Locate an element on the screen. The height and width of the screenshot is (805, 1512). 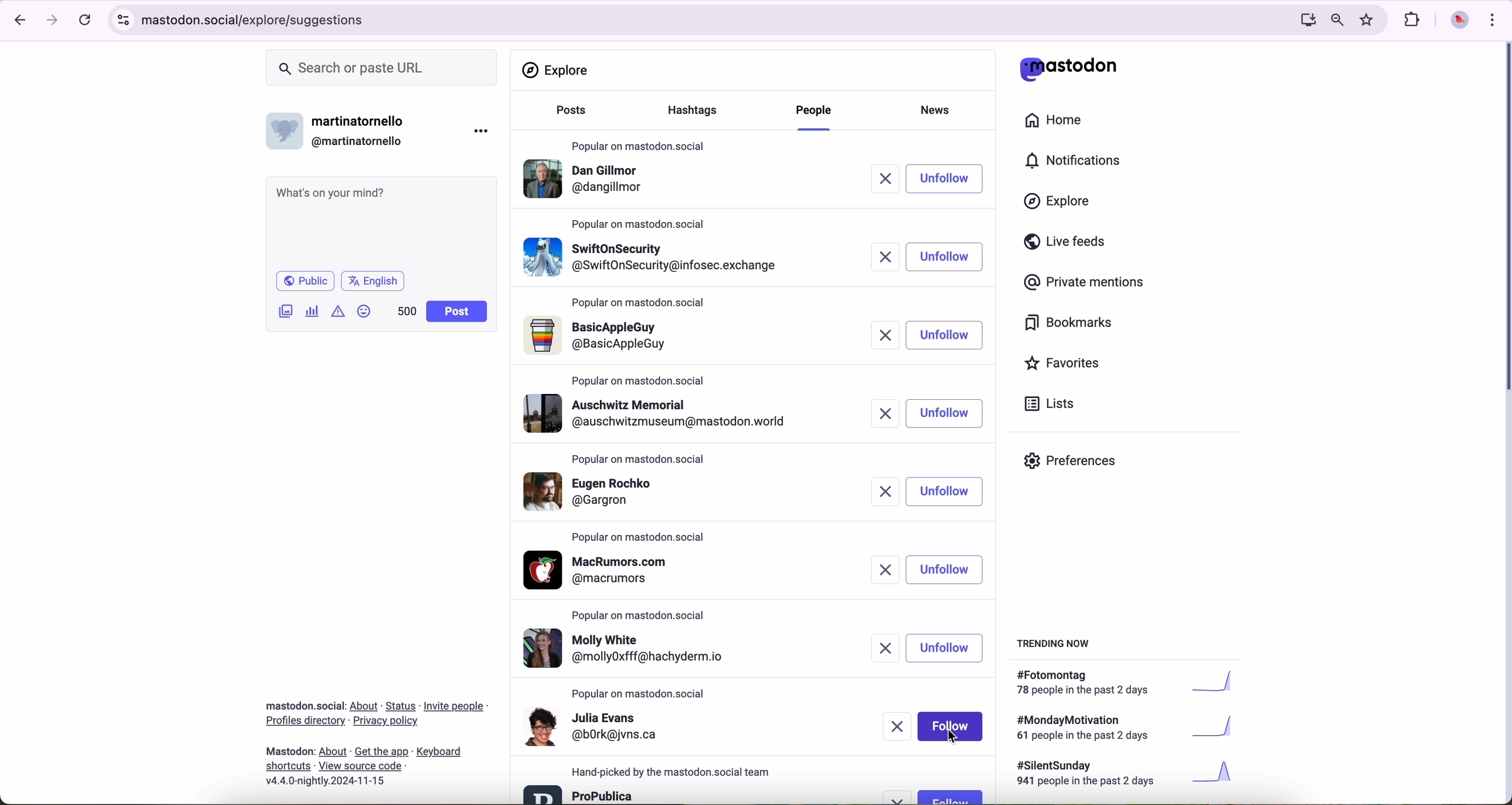
profile is located at coordinates (604, 570).